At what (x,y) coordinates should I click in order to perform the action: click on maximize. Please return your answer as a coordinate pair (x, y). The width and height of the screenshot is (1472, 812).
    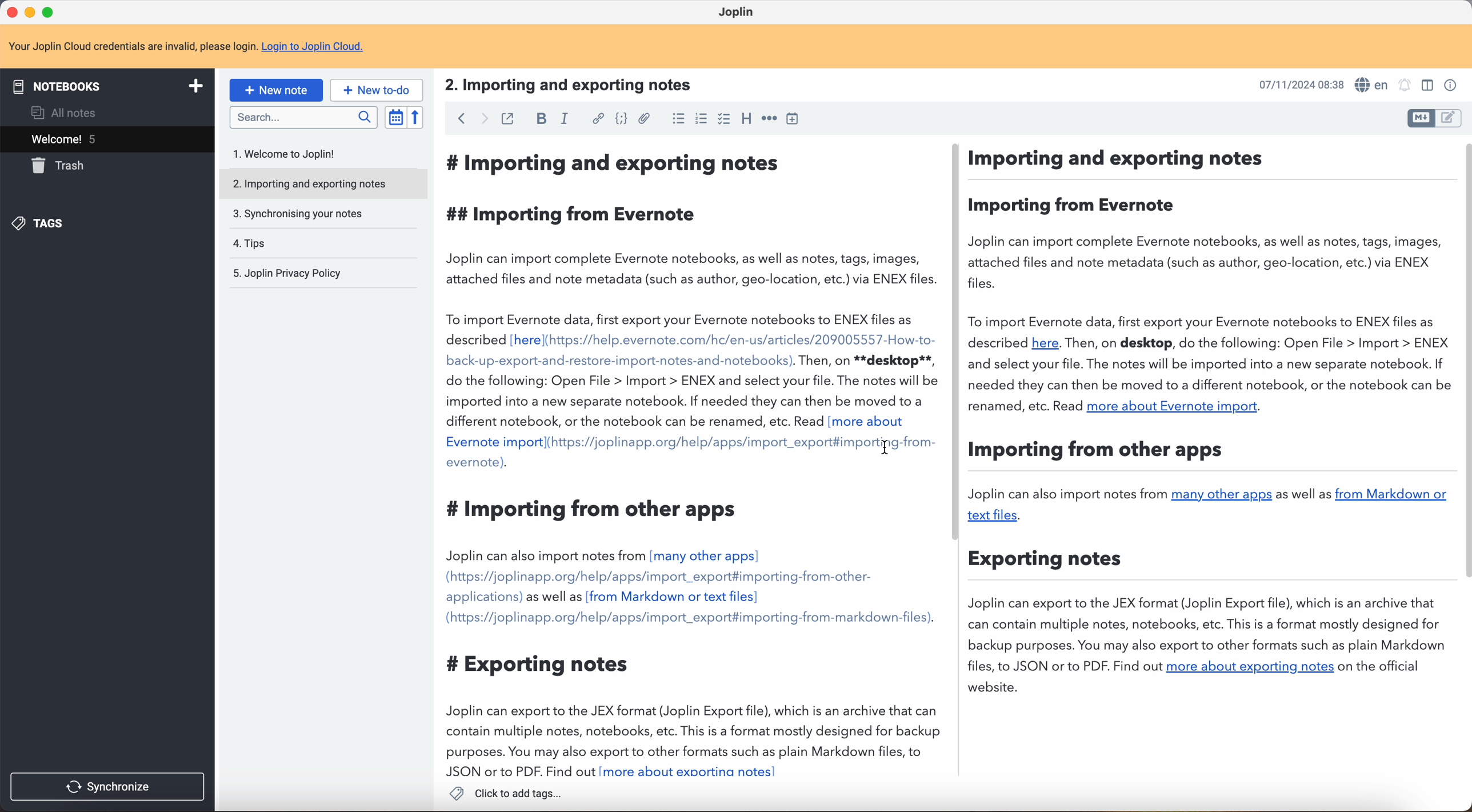
    Looking at the image, I should click on (49, 11).